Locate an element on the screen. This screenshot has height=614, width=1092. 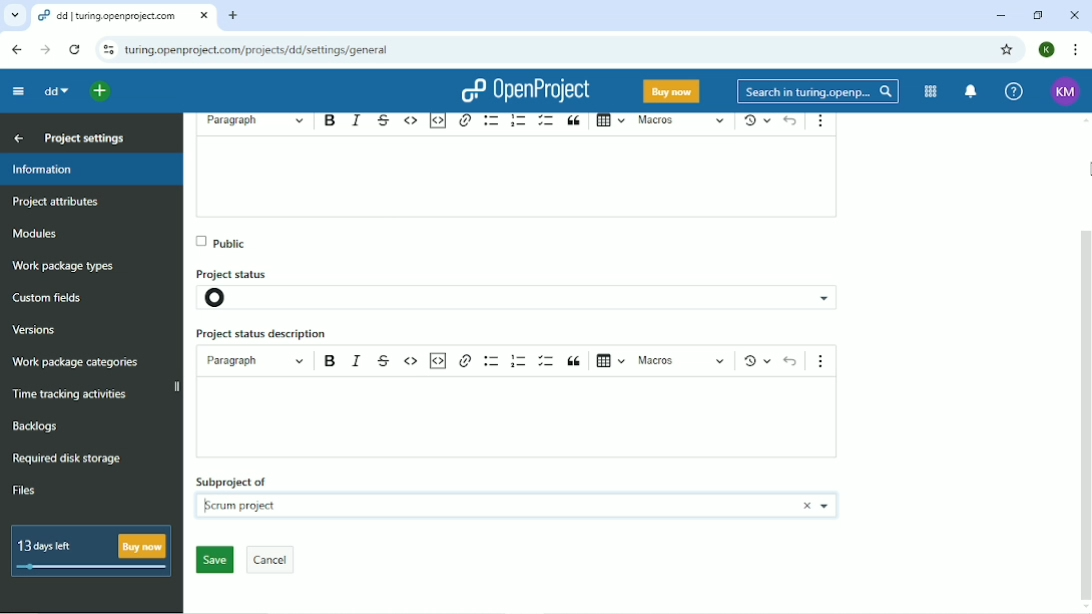
Custom fields is located at coordinates (51, 299).